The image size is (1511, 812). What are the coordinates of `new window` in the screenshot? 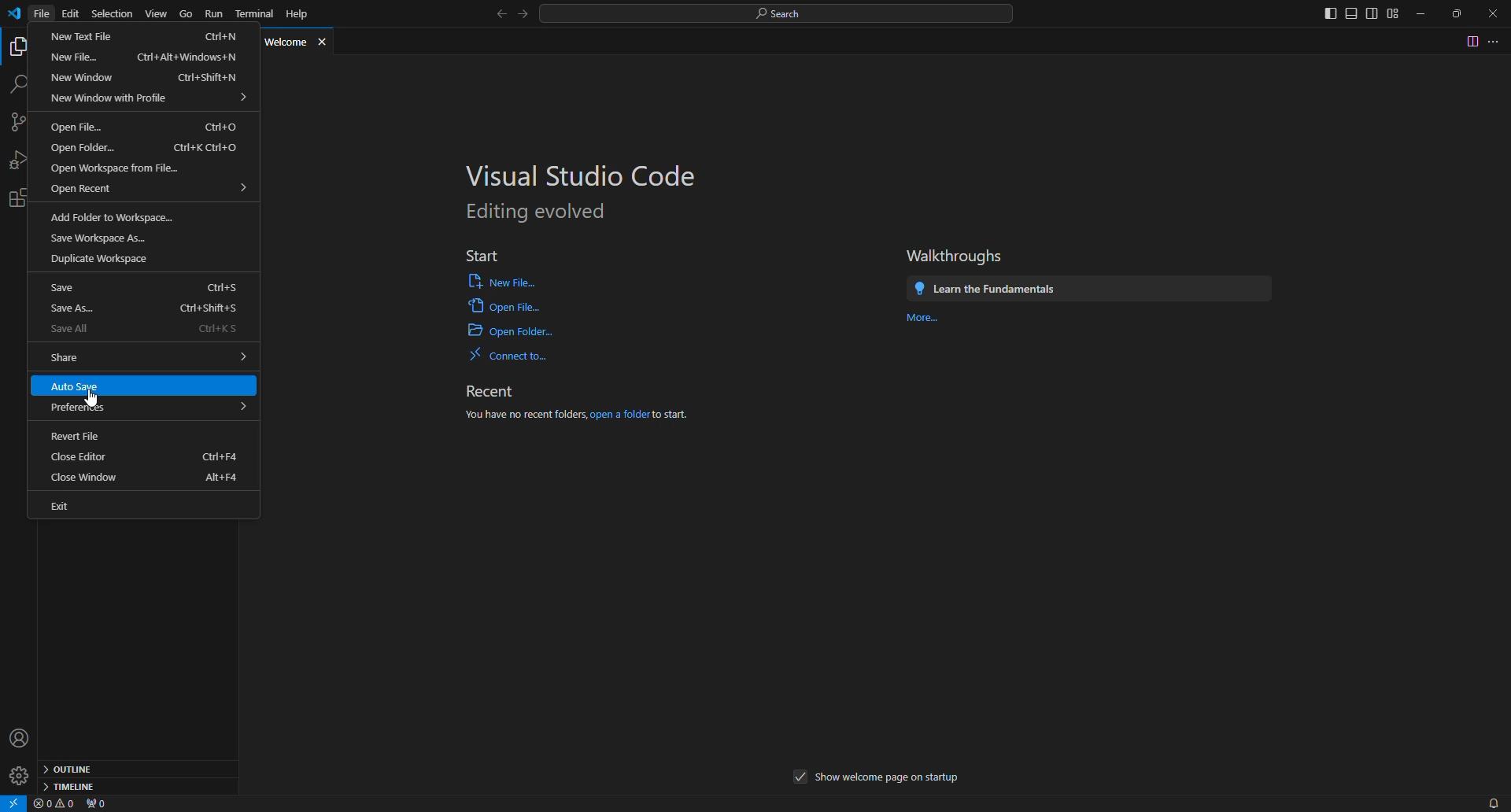 It's located at (83, 77).